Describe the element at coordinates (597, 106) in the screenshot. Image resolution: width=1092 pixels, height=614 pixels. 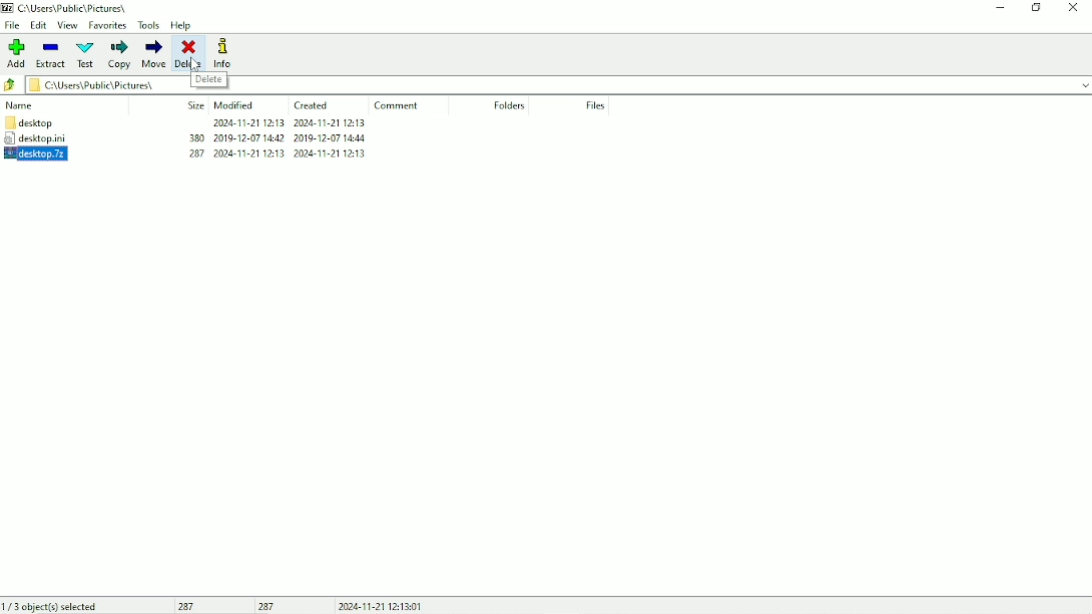
I see `Files` at that location.